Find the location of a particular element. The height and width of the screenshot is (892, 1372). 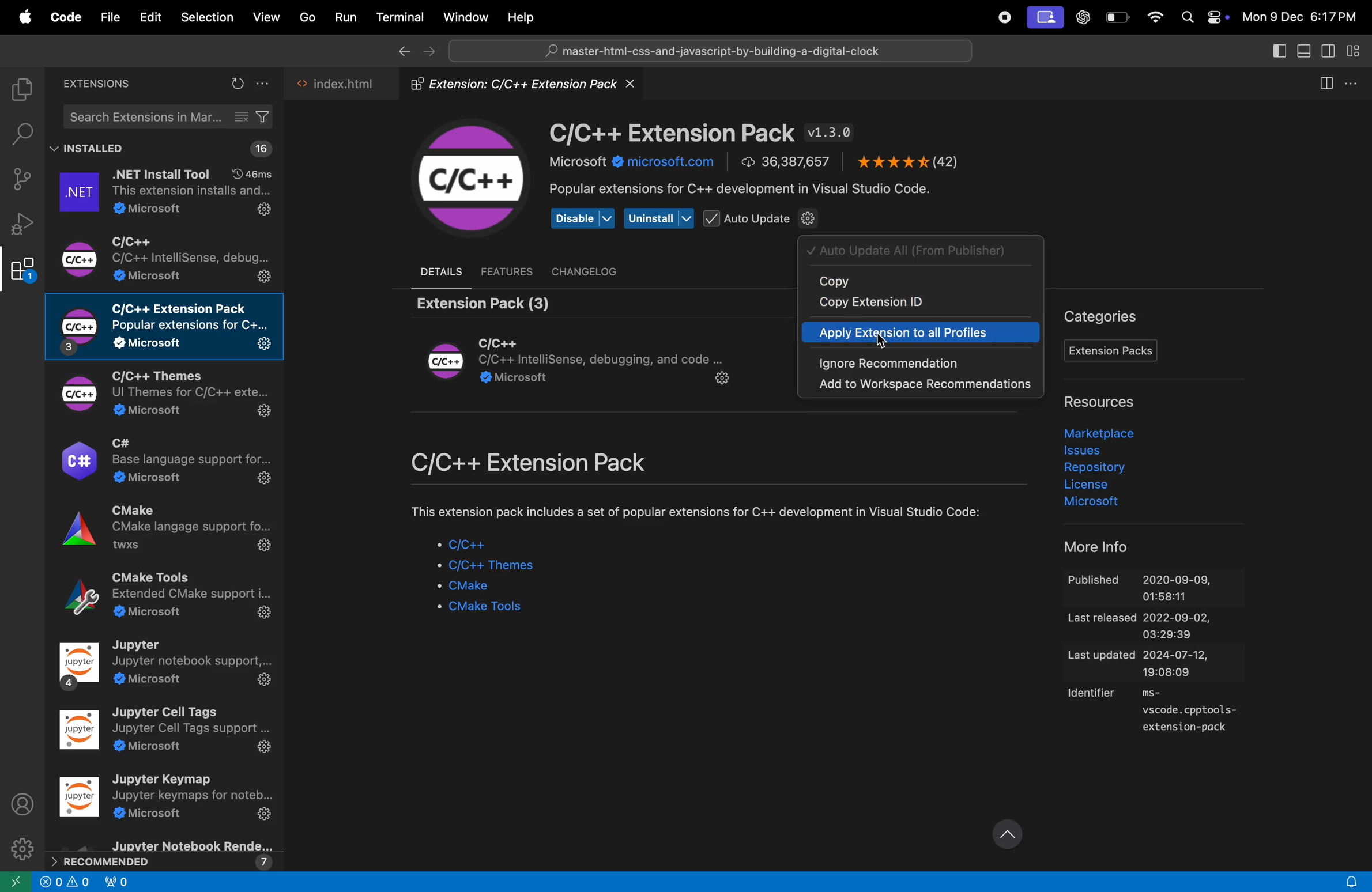

microsoft.com is located at coordinates (630, 165).